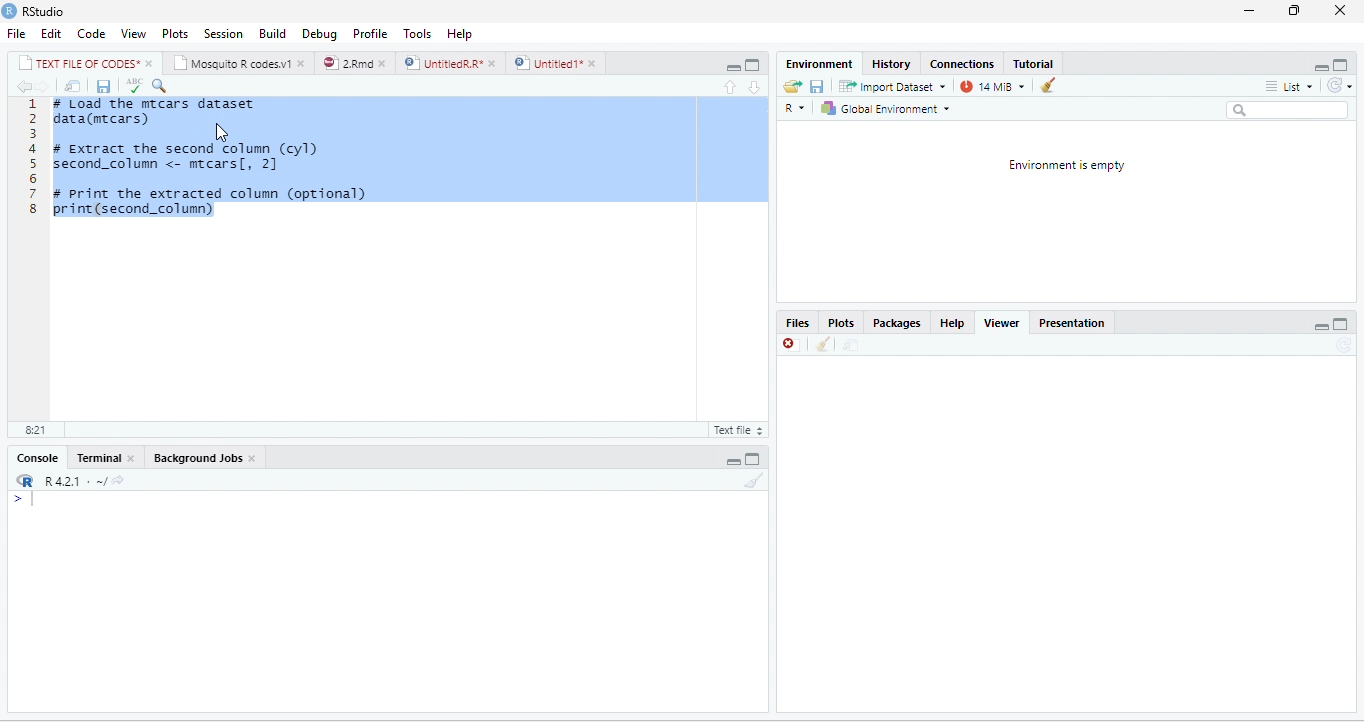 This screenshot has height=722, width=1364. What do you see at coordinates (891, 63) in the screenshot?
I see `History` at bounding box center [891, 63].